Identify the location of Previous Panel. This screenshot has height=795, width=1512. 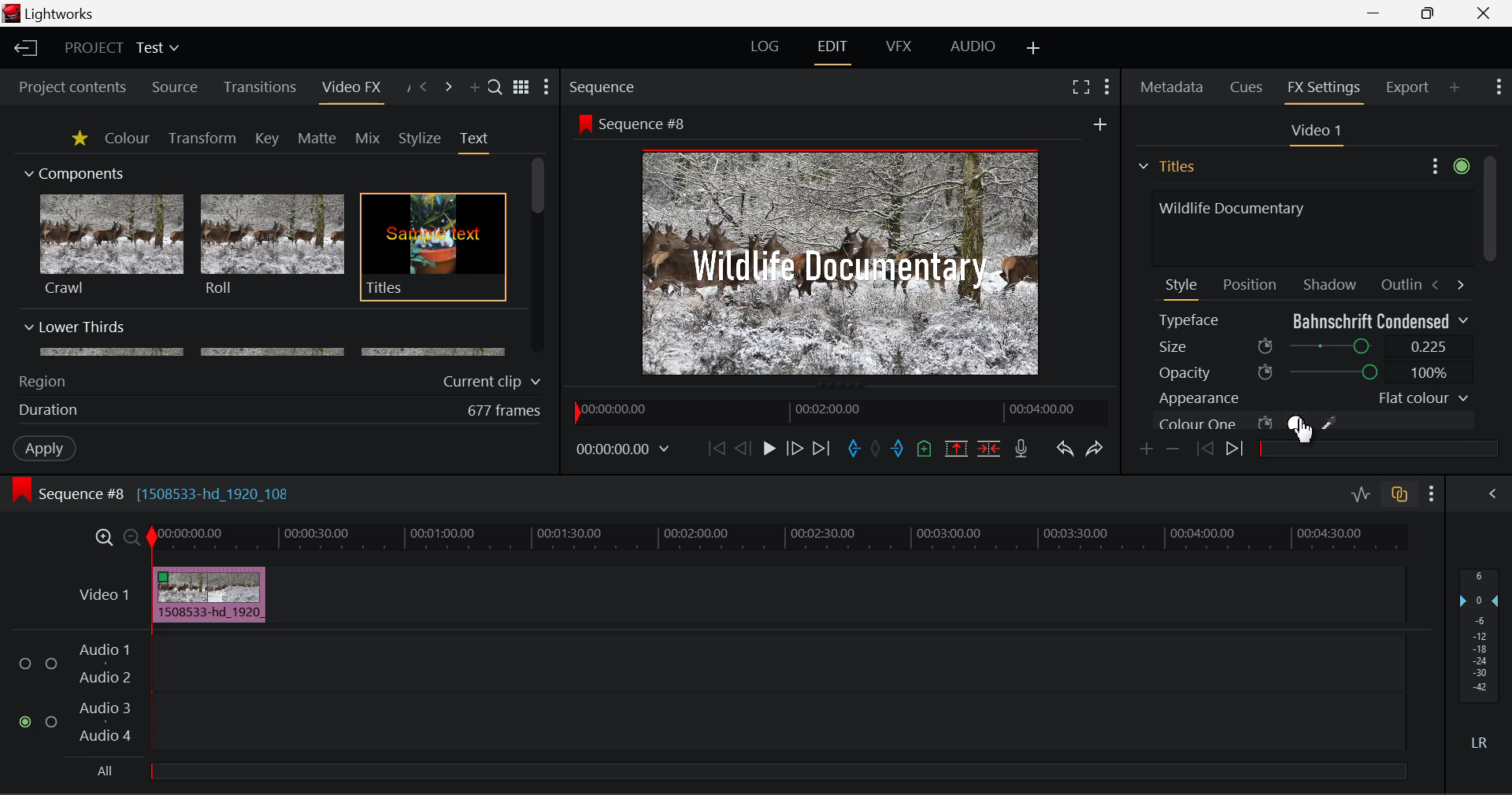
(422, 88).